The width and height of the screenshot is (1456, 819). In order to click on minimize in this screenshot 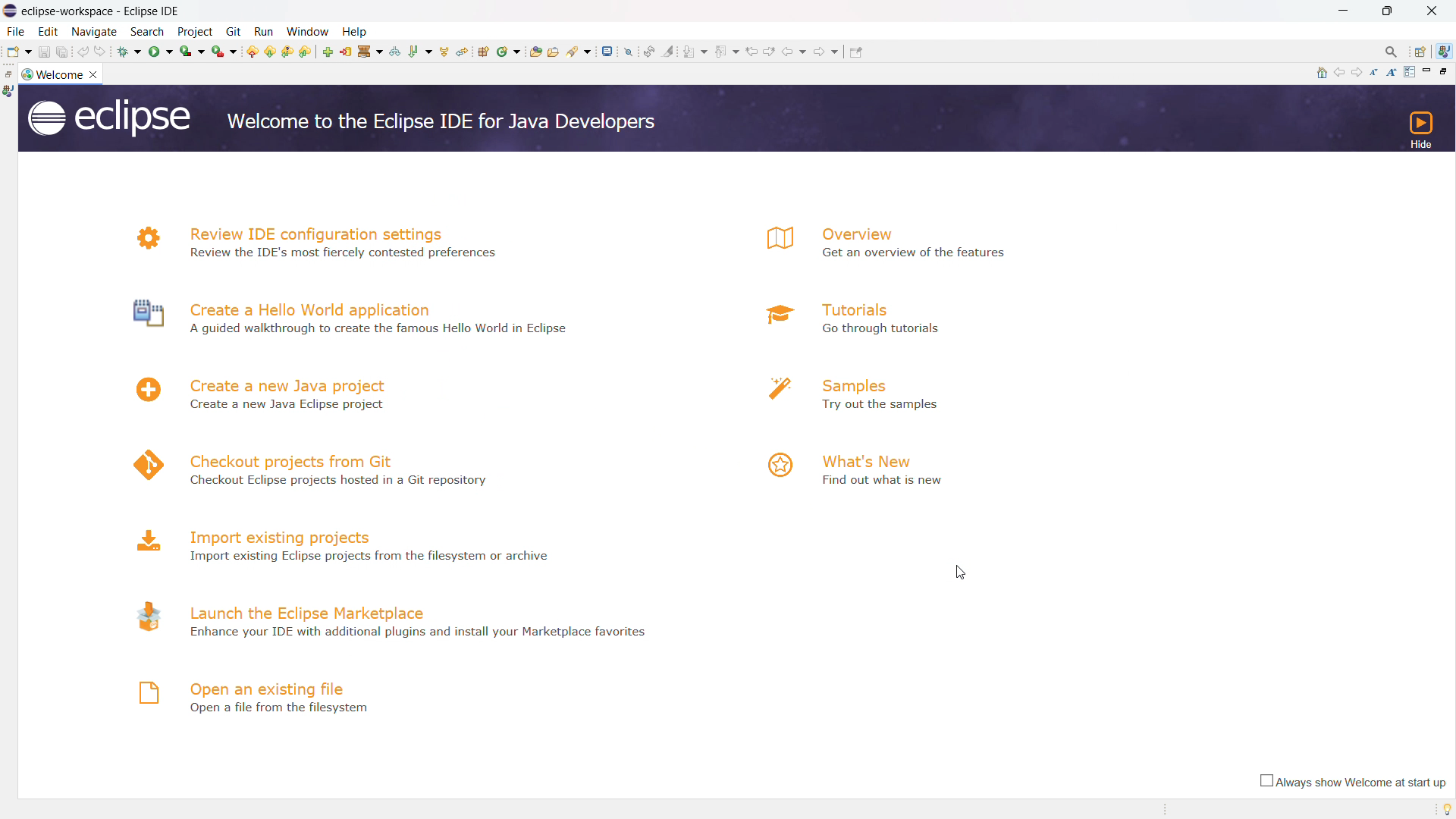, I will do `click(1341, 11)`.